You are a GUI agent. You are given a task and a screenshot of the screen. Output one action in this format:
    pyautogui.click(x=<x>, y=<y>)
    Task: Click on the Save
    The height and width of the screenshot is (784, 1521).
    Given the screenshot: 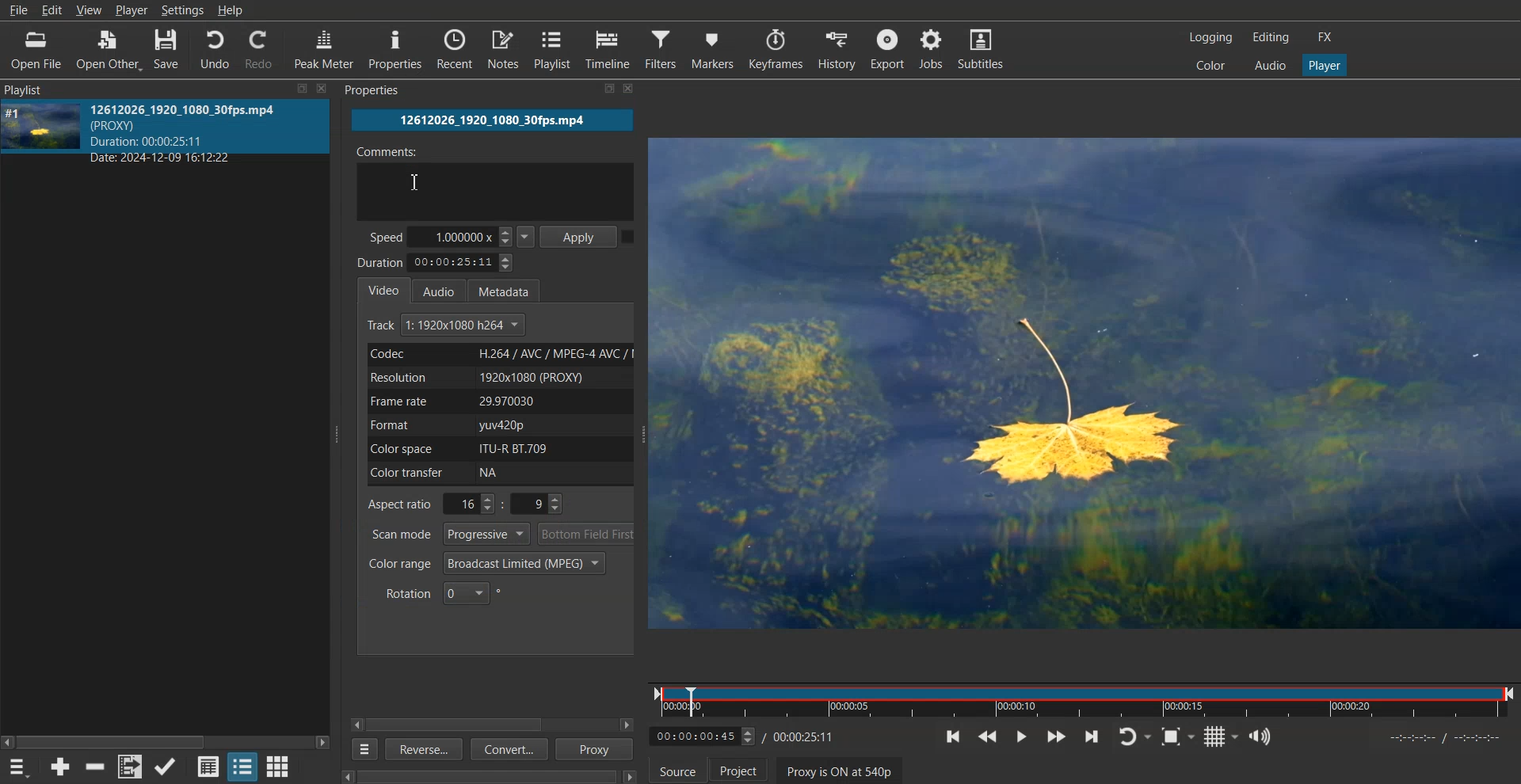 What is the action you would take?
    pyautogui.click(x=167, y=48)
    